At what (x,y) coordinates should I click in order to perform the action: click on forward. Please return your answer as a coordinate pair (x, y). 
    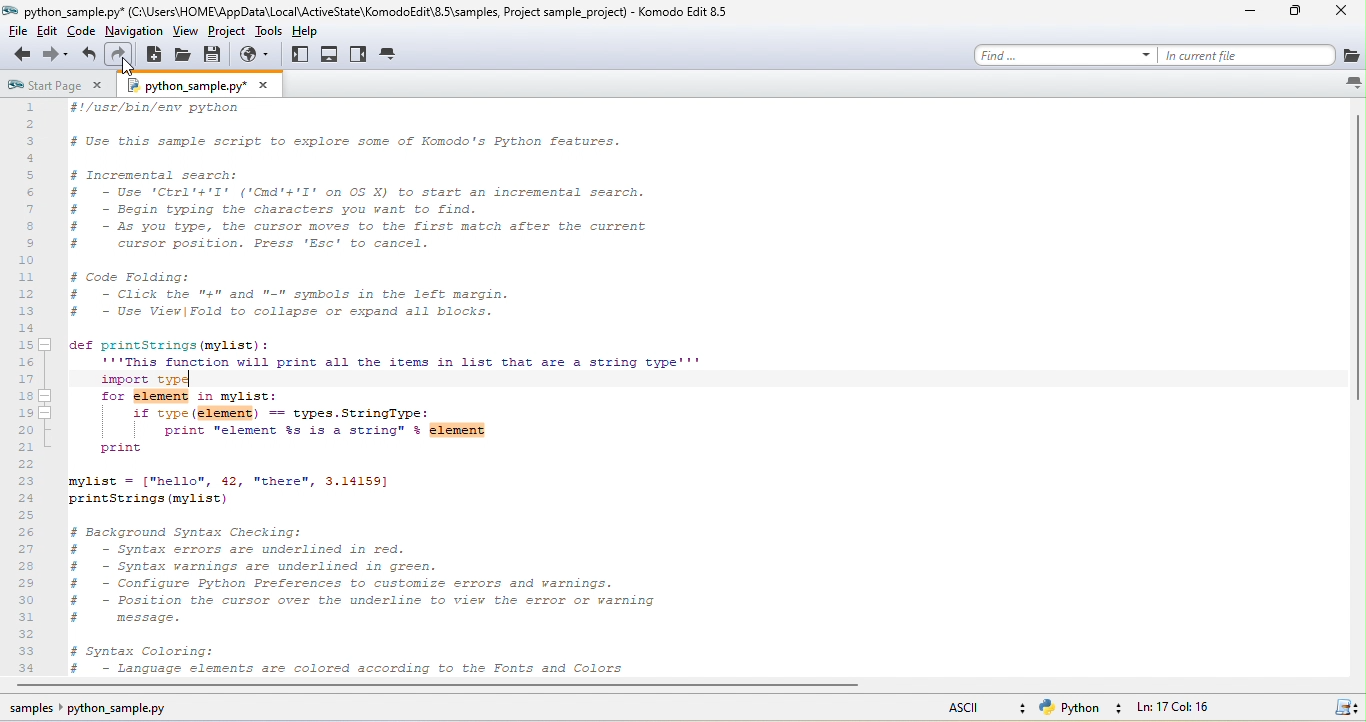
    Looking at the image, I should click on (57, 57).